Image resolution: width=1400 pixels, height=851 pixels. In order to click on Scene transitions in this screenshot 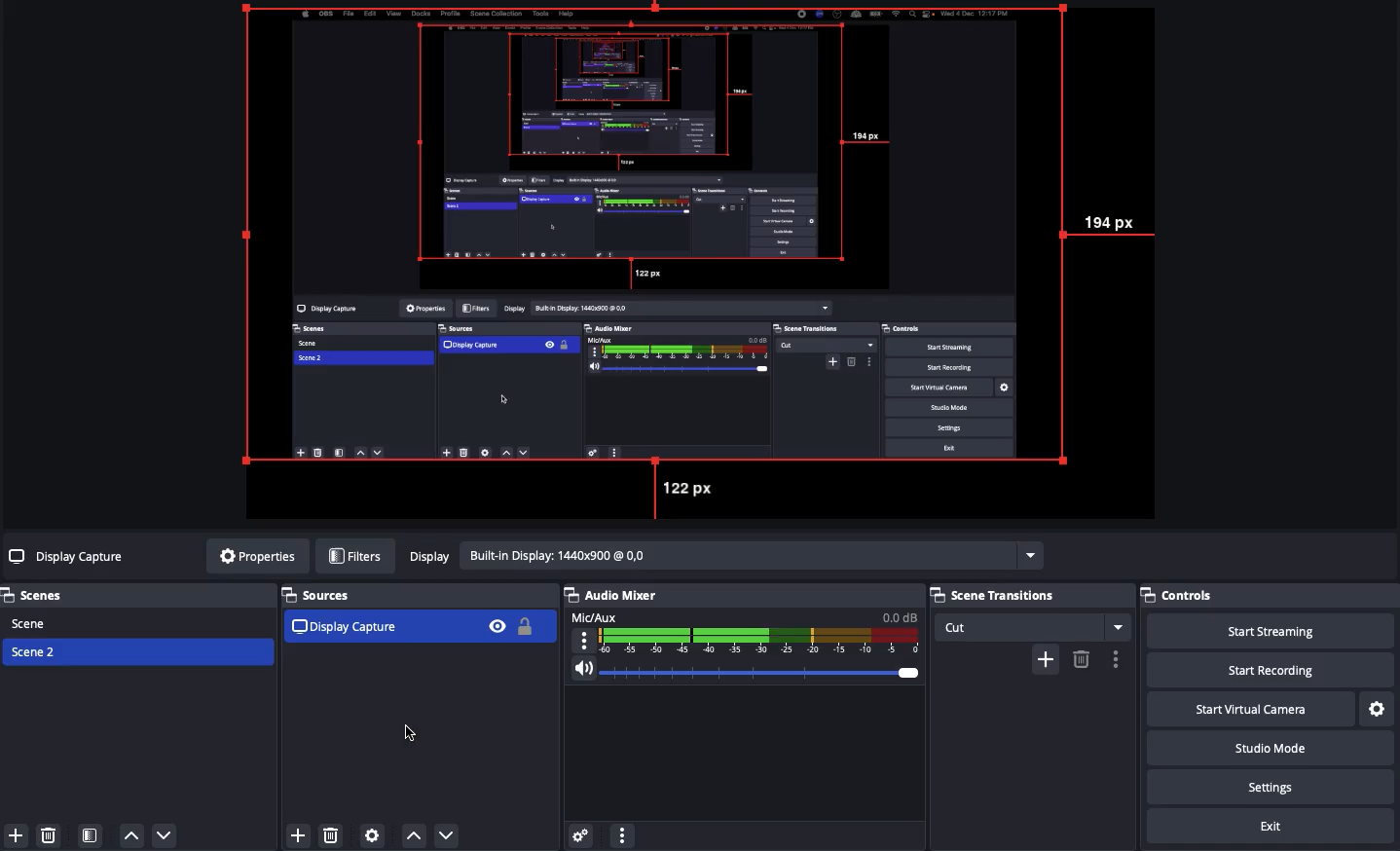, I will do `click(1026, 596)`.